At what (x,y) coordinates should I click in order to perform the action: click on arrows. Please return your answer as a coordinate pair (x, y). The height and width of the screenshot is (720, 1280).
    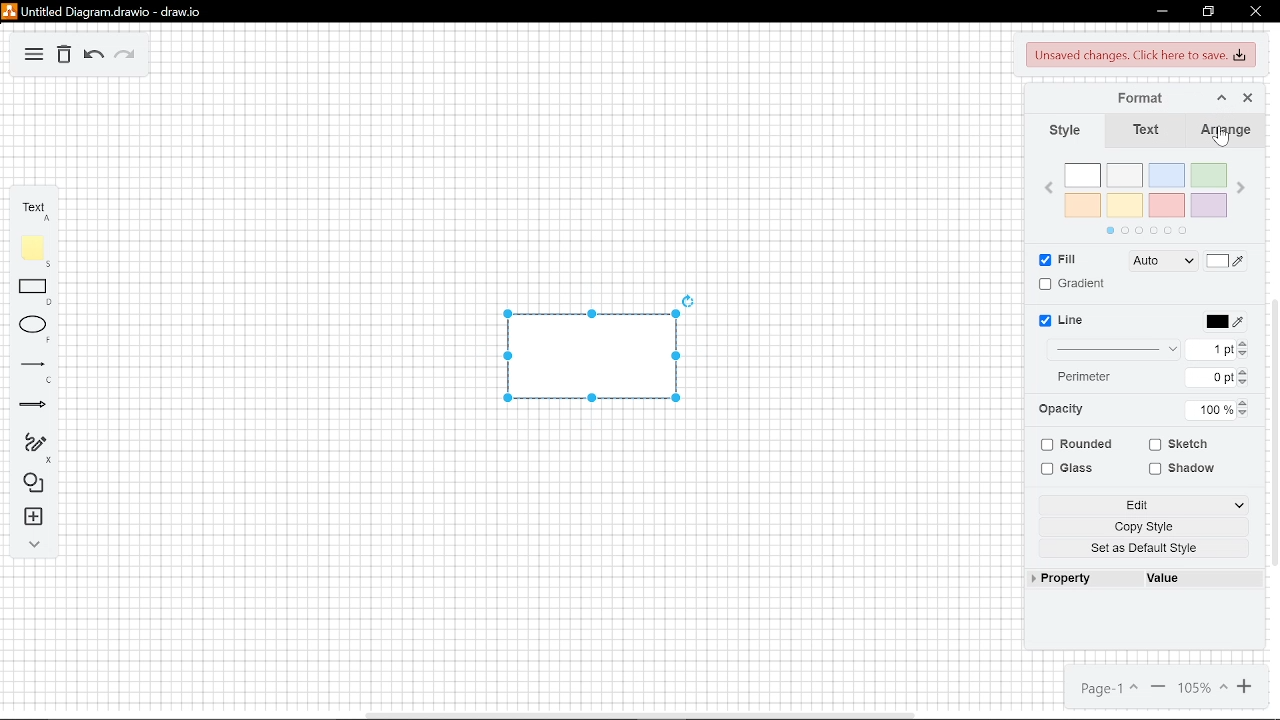
    Looking at the image, I should click on (36, 408).